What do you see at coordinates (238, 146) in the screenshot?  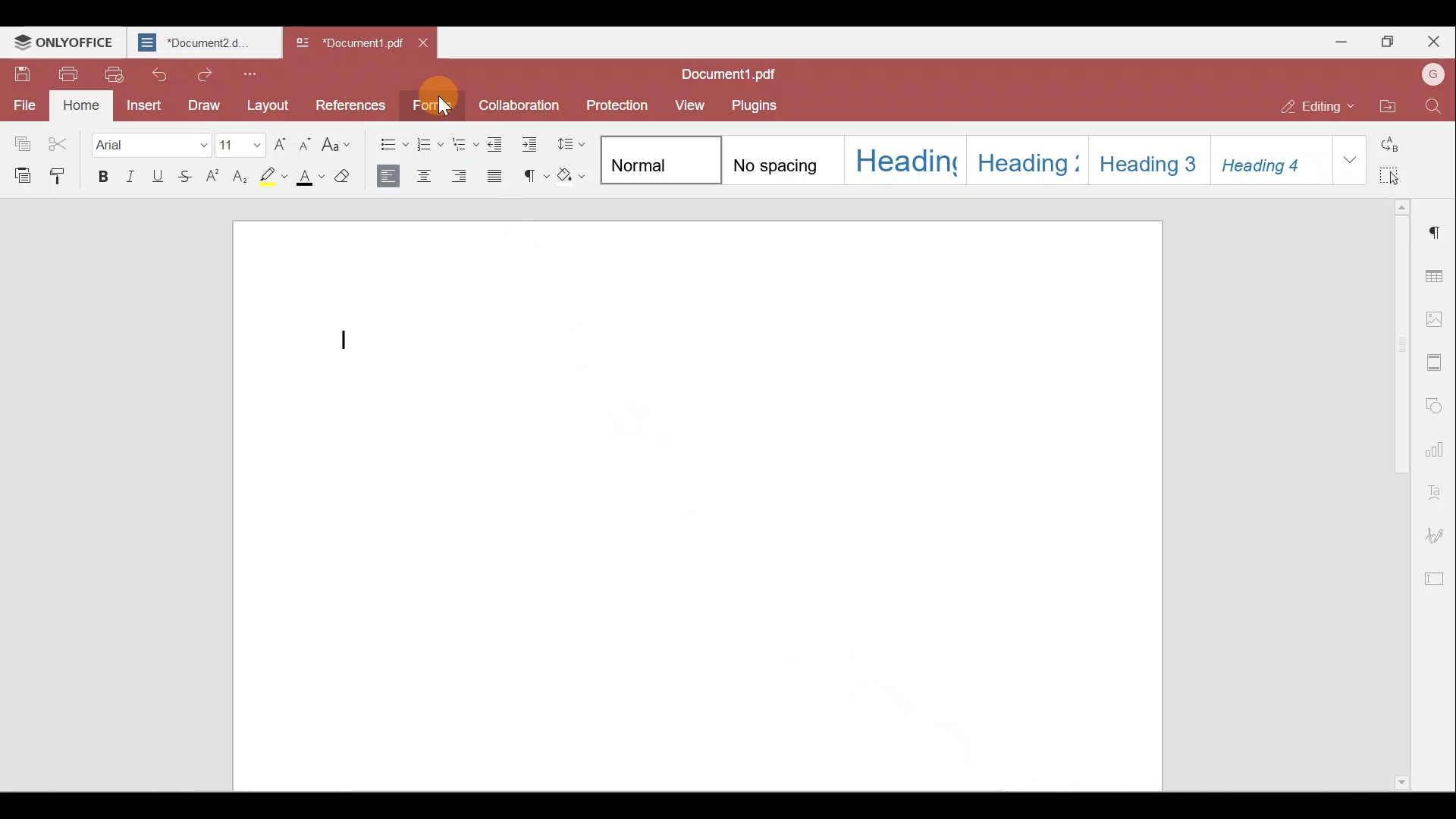 I see `Font size` at bounding box center [238, 146].